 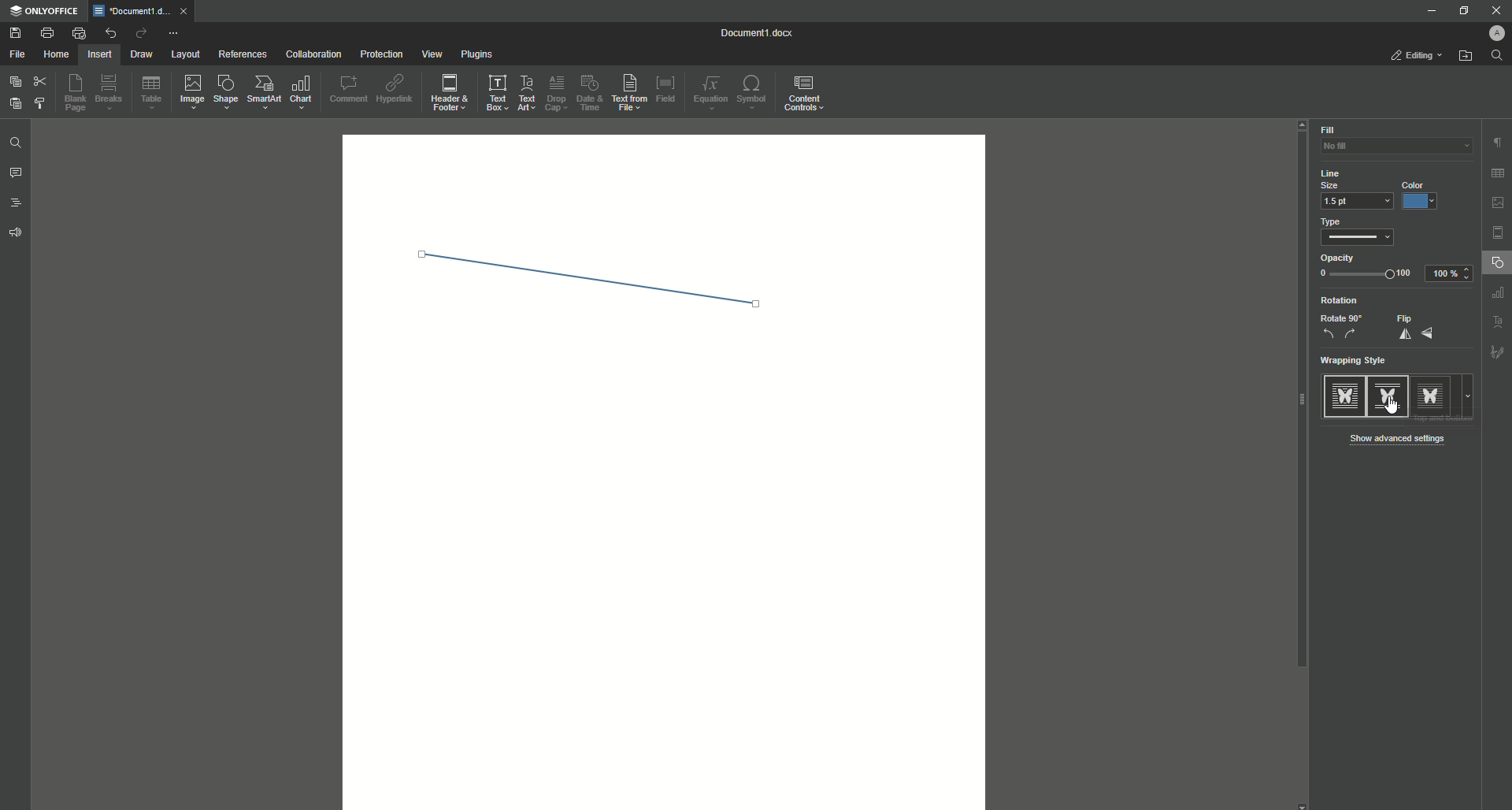 I want to click on Chart, so click(x=303, y=92).